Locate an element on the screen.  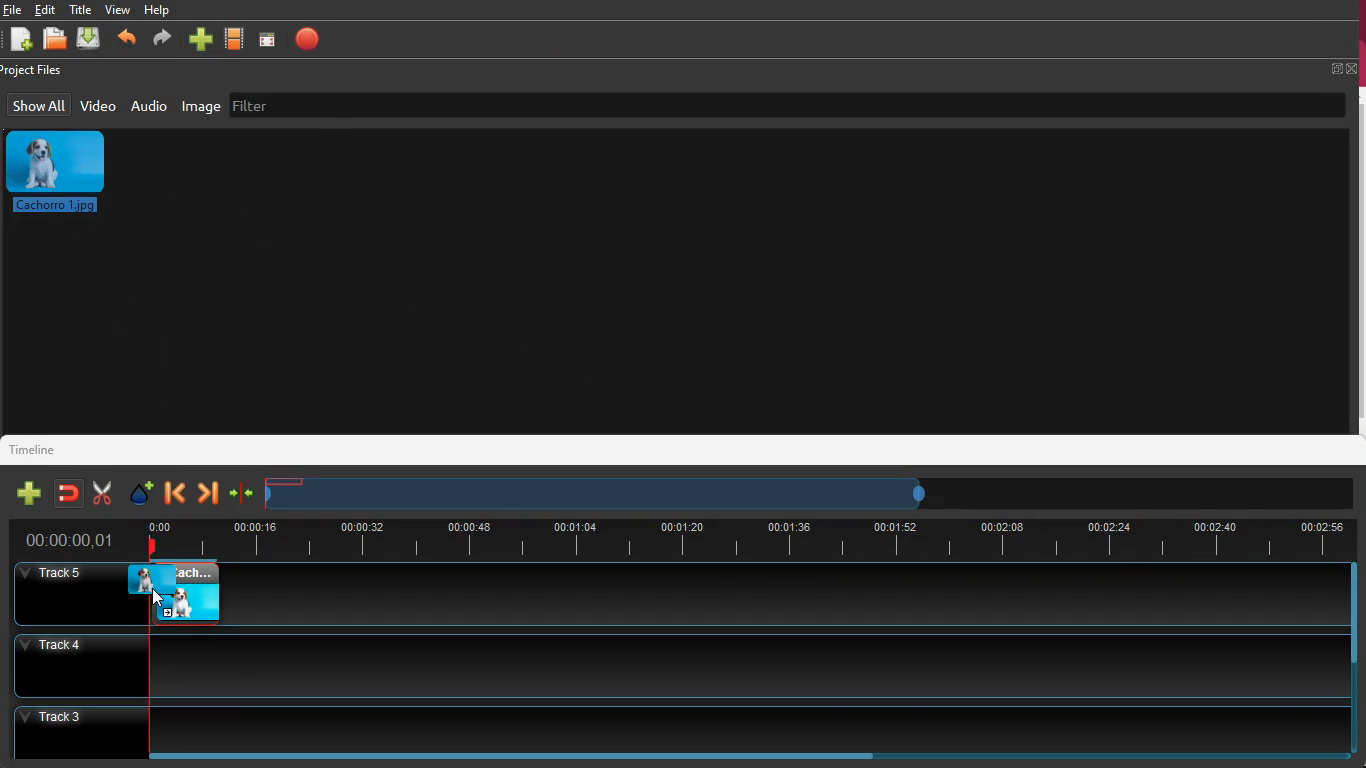
forward is located at coordinates (207, 493).